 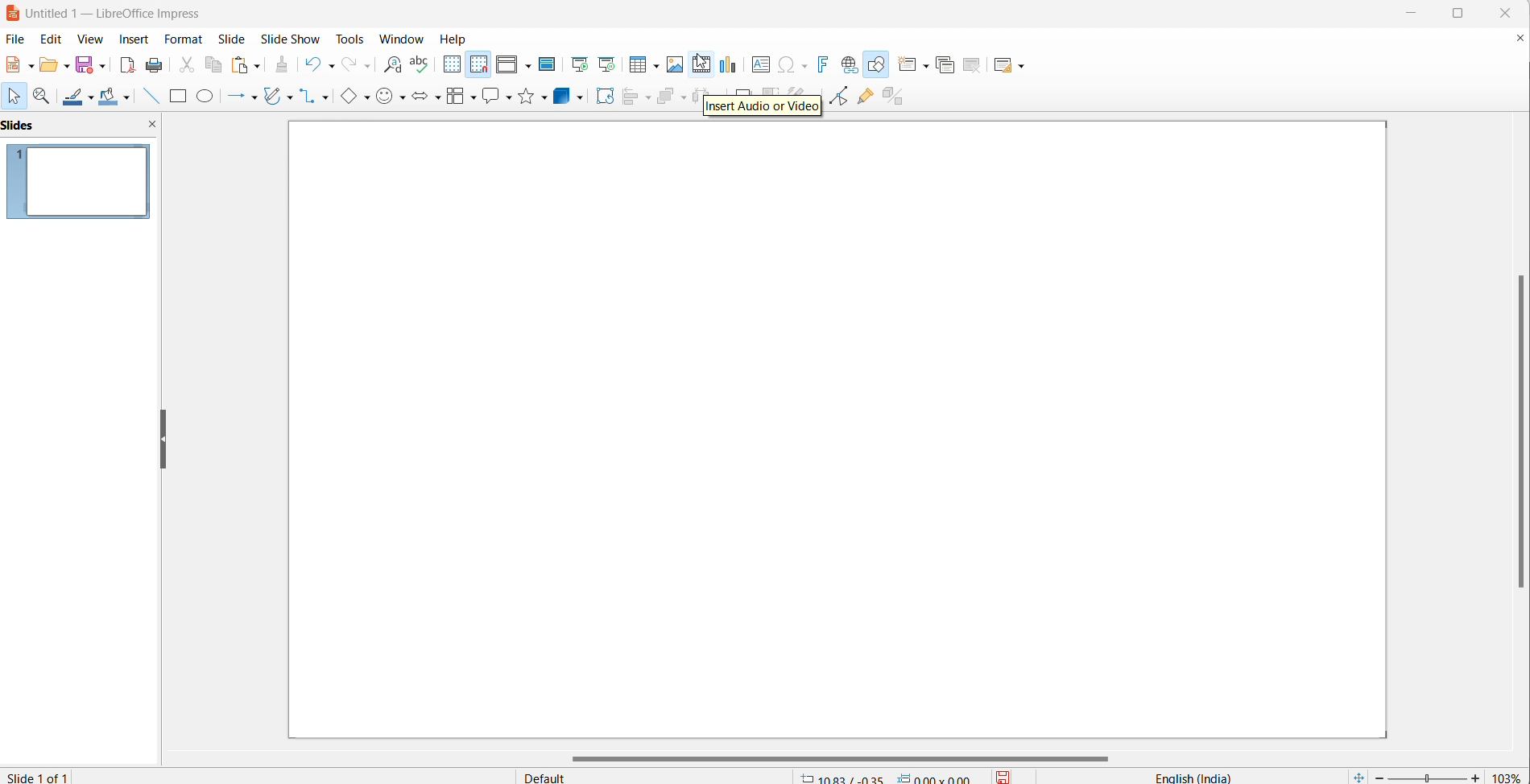 What do you see at coordinates (579, 64) in the screenshot?
I see `start from first slide` at bounding box center [579, 64].